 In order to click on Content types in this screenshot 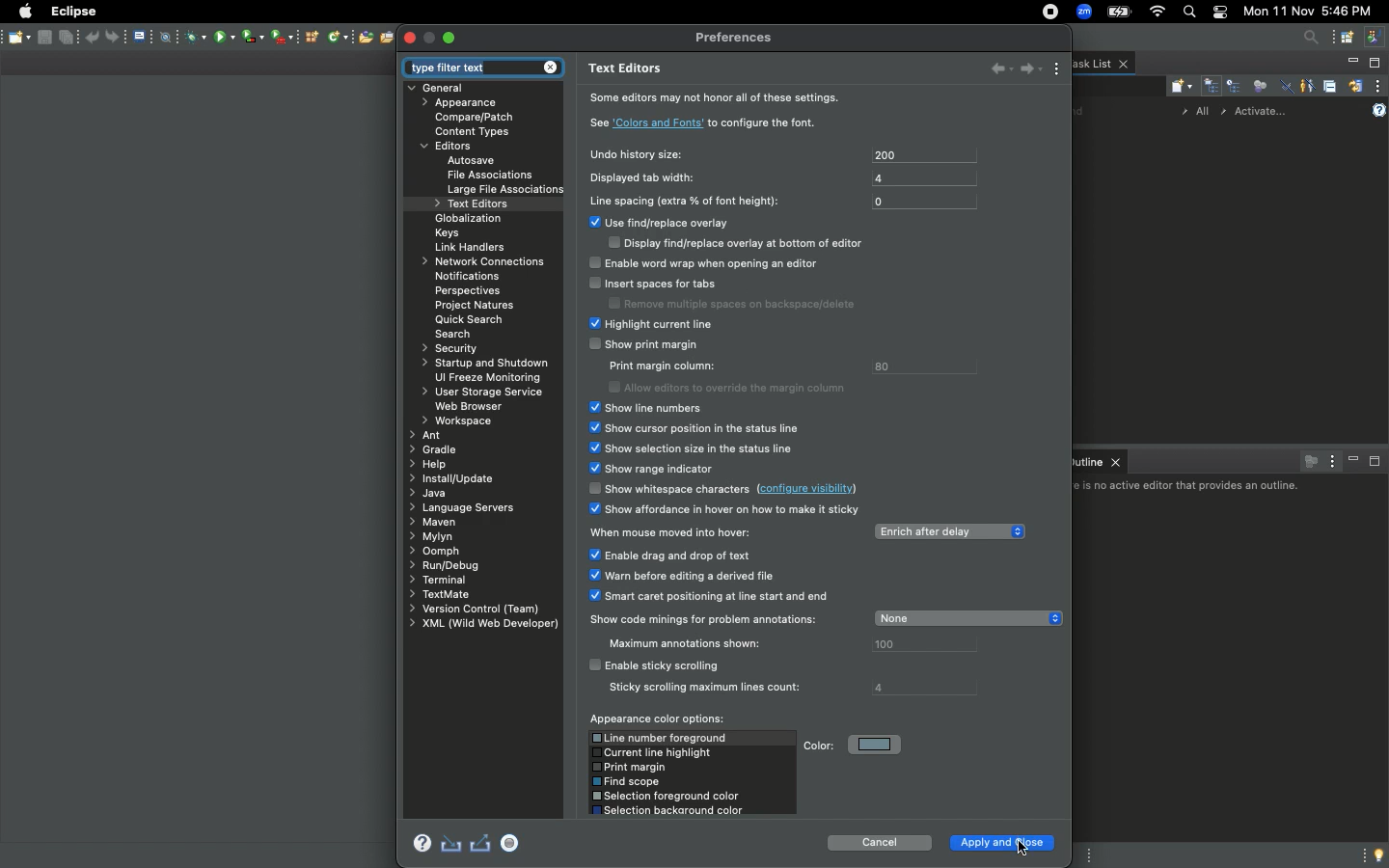, I will do `click(478, 132)`.